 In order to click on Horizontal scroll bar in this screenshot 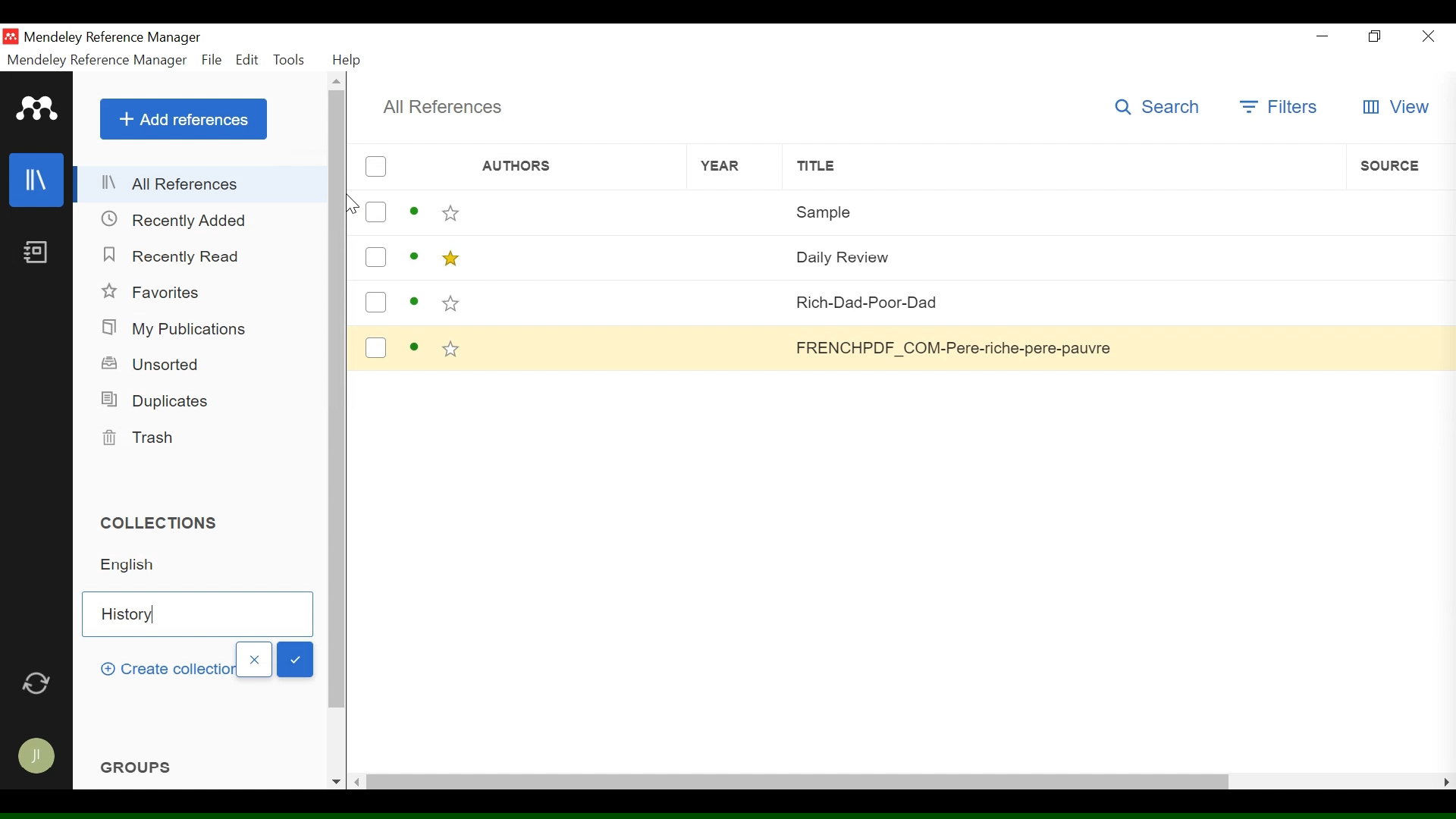, I will do `click(805, 782)`.